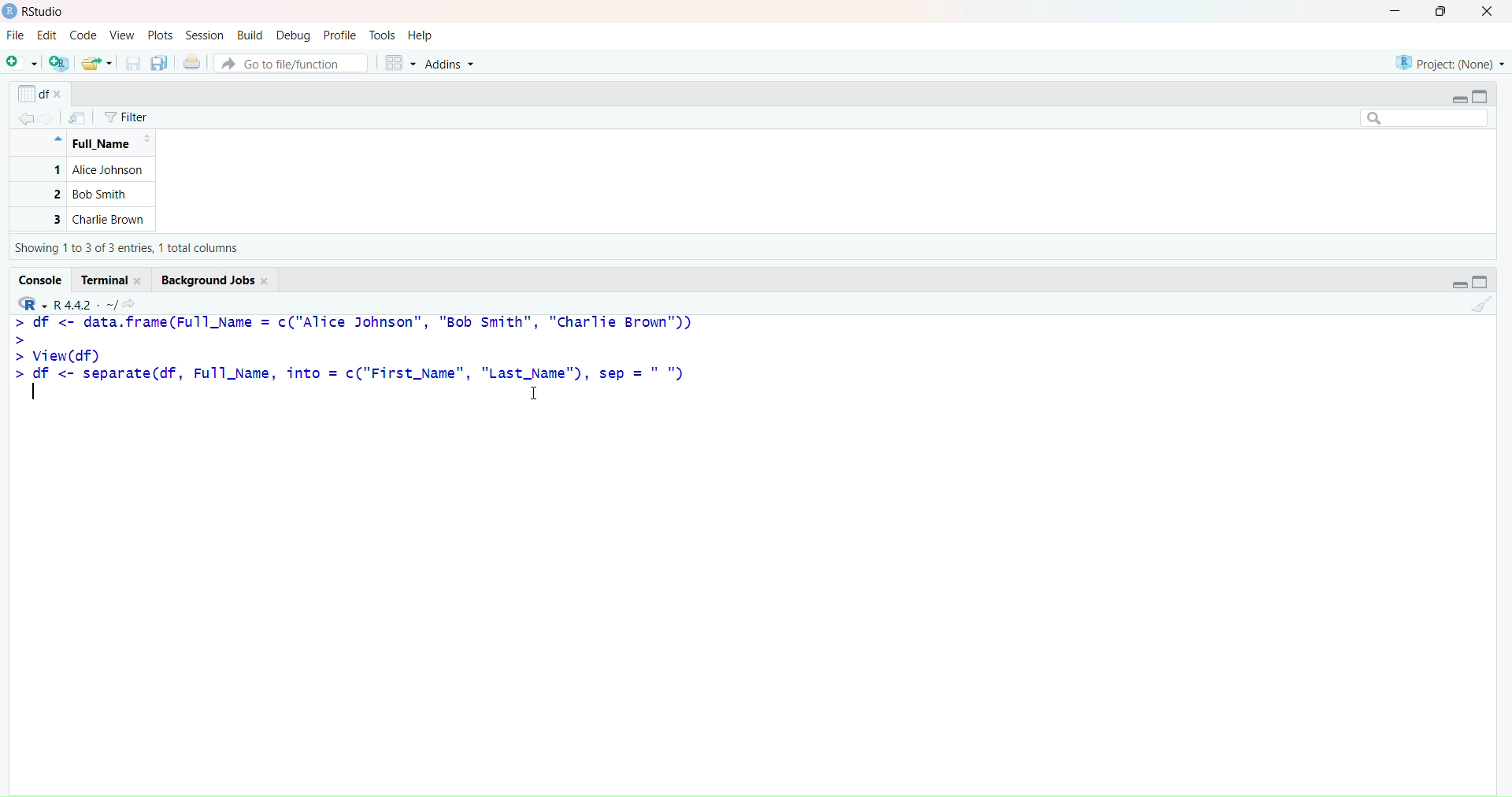 This screenshot has width=1512, height=797. Describe the element at coordinates (57, 138) in the screenshot. I see `Hide` at that location.